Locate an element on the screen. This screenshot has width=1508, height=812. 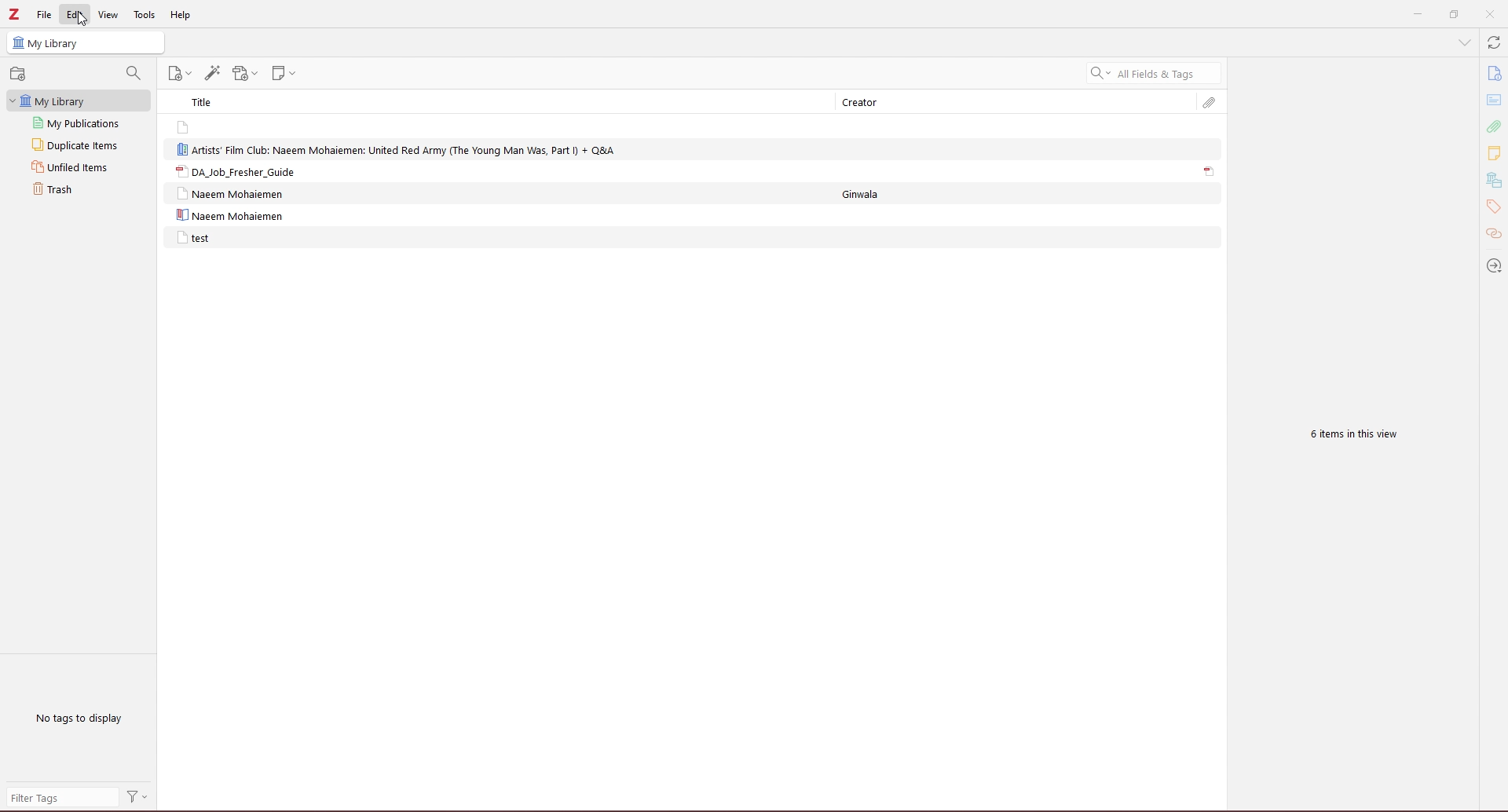
attachment is located at coordinates (1210, 172).